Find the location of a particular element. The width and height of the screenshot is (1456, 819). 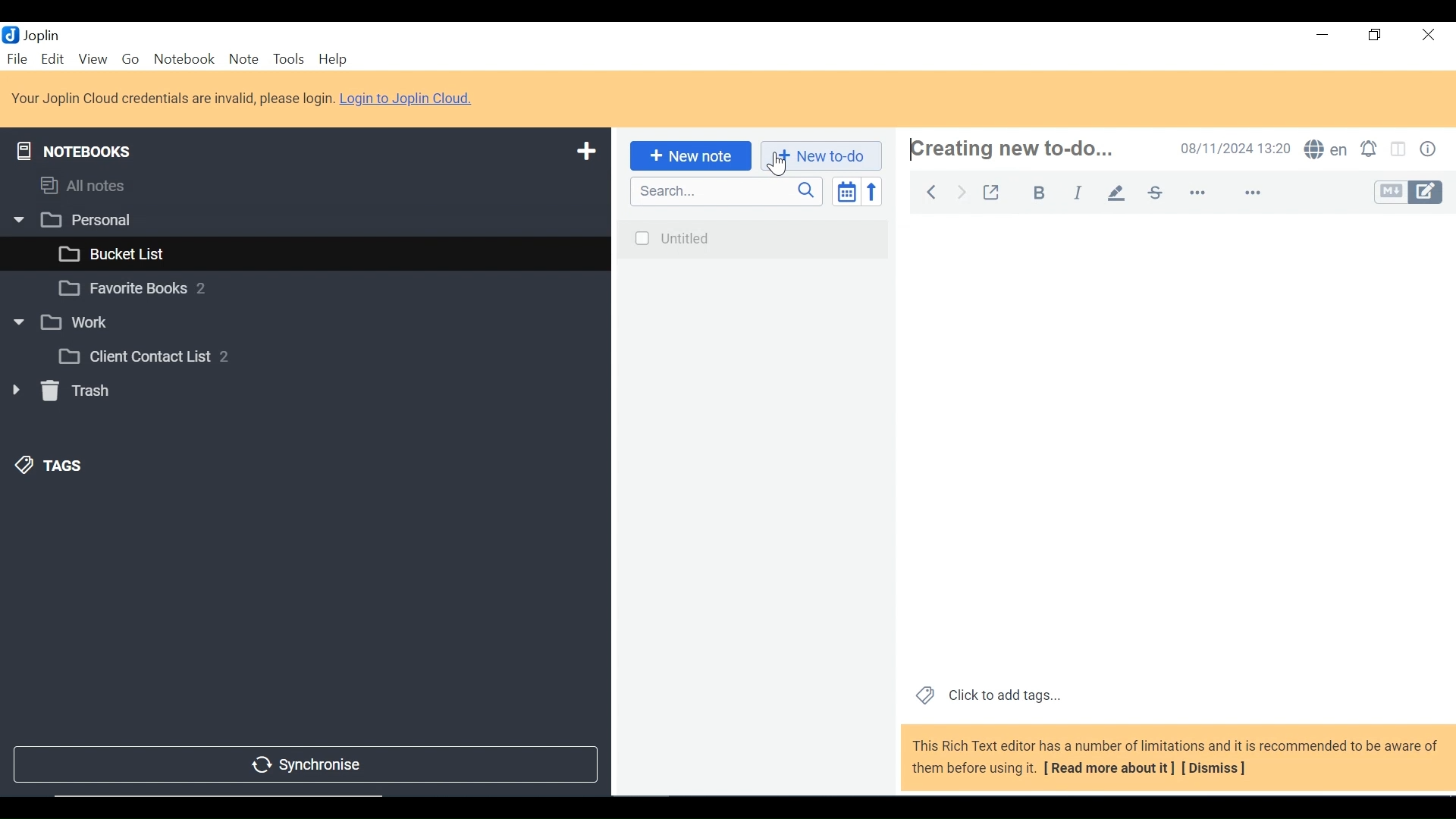

Joplin is located at coordinates (43, 35).